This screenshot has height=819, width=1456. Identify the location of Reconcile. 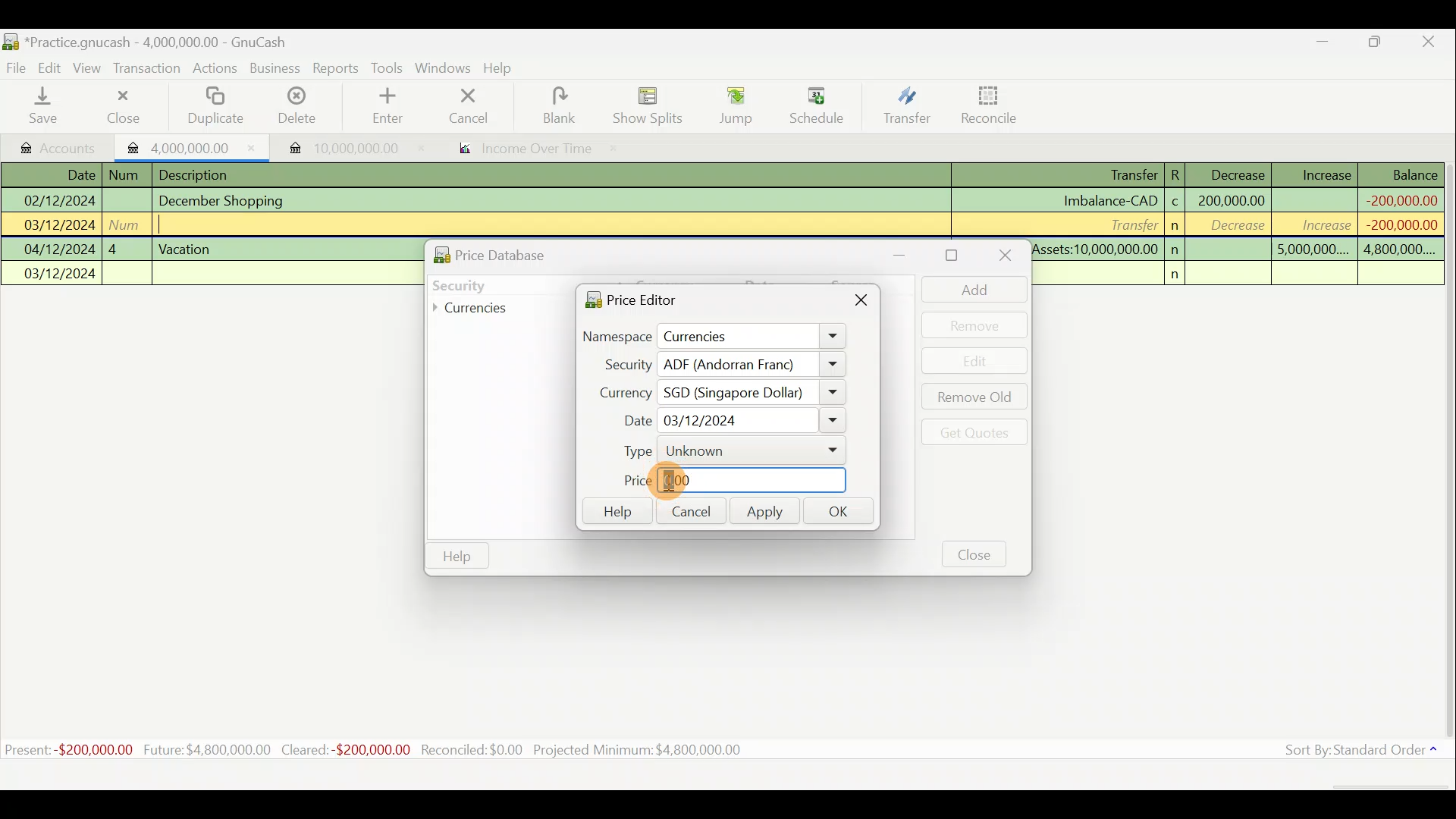
(984, 105).